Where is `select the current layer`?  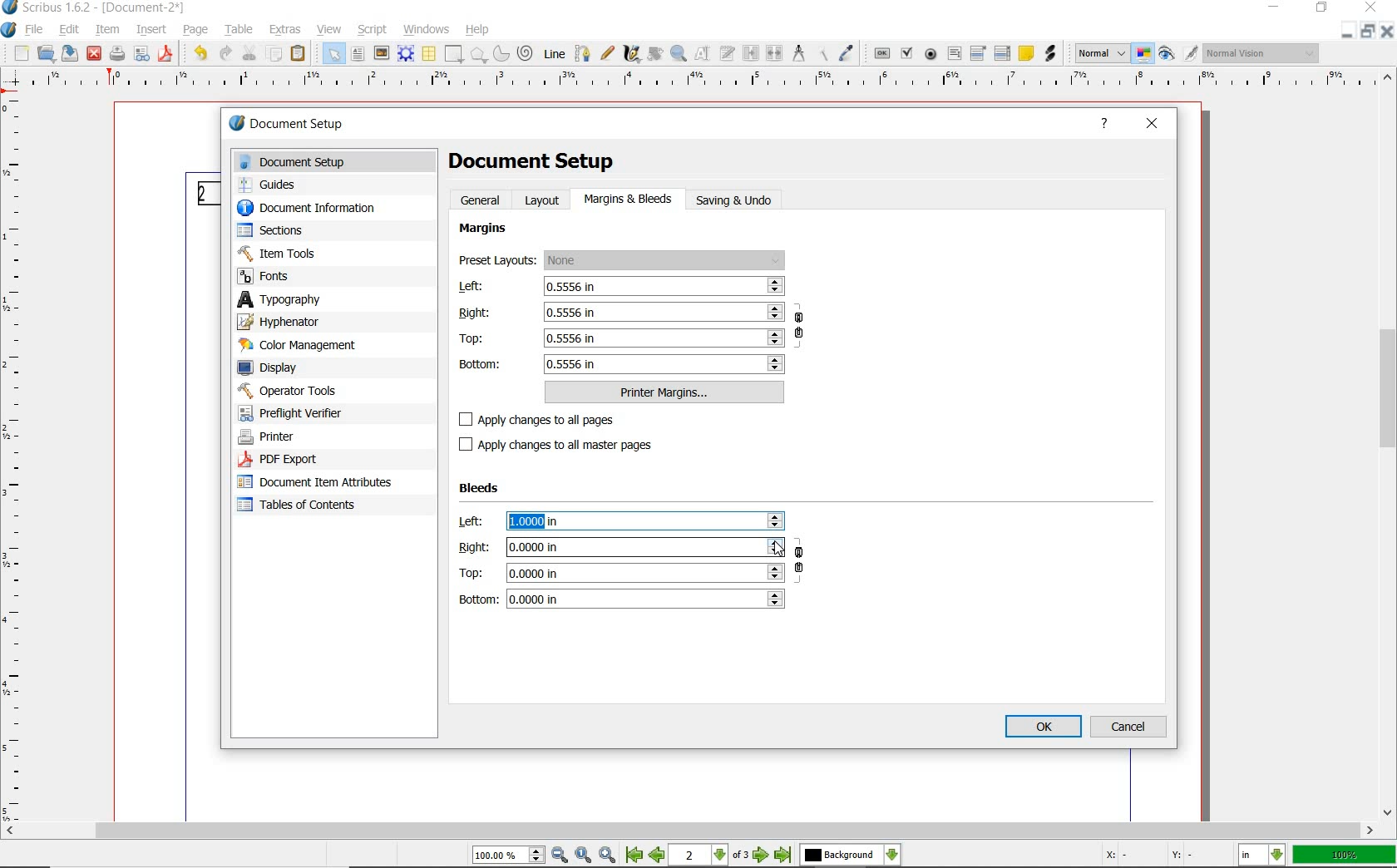 select the current layer is located at coordinates (850, 856).